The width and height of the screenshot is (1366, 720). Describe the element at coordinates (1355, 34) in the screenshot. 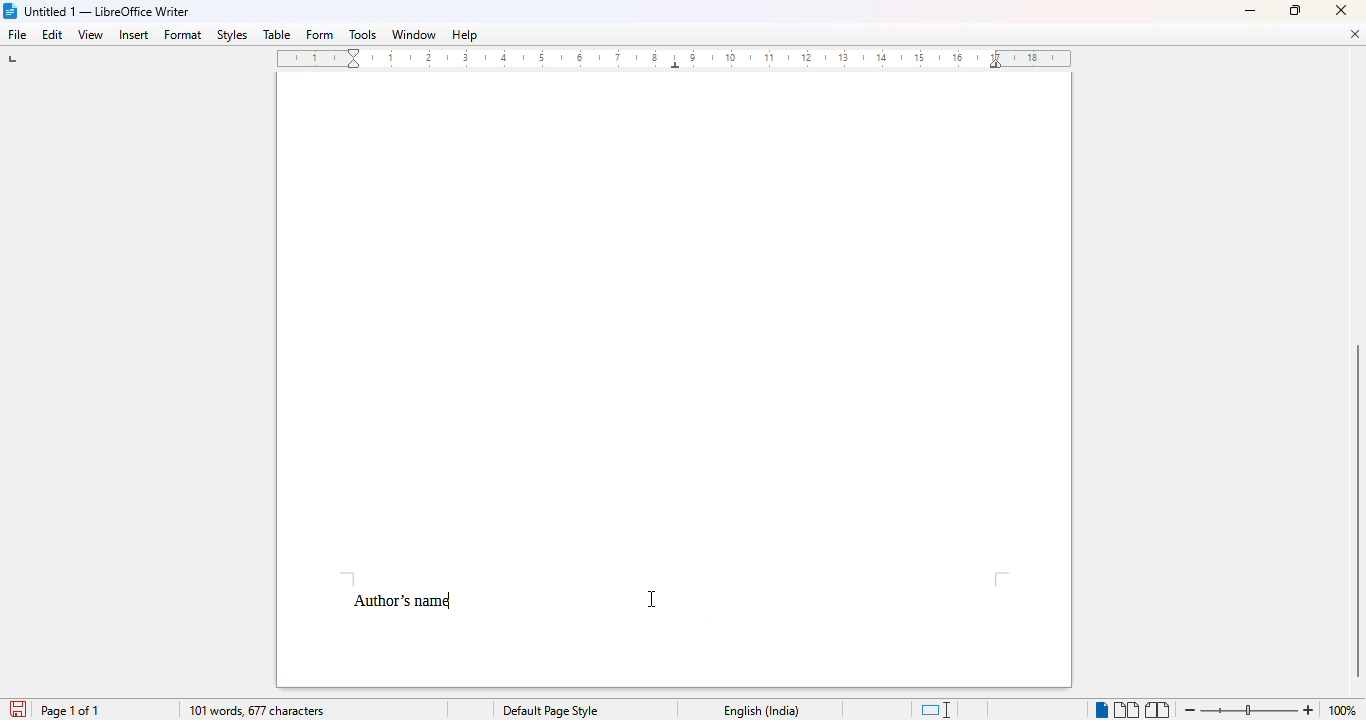

I see `close documemt` at that location.